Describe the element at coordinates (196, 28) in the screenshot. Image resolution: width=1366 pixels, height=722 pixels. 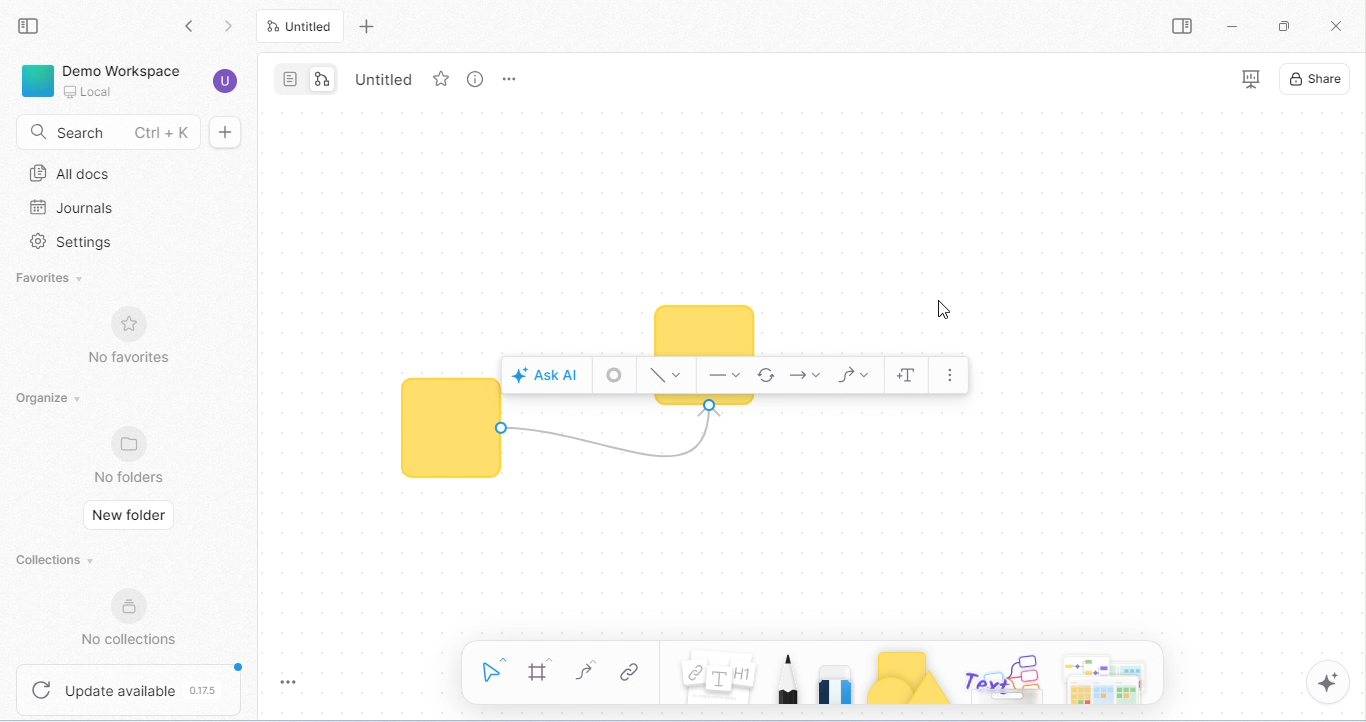
I see `go back` at that location.